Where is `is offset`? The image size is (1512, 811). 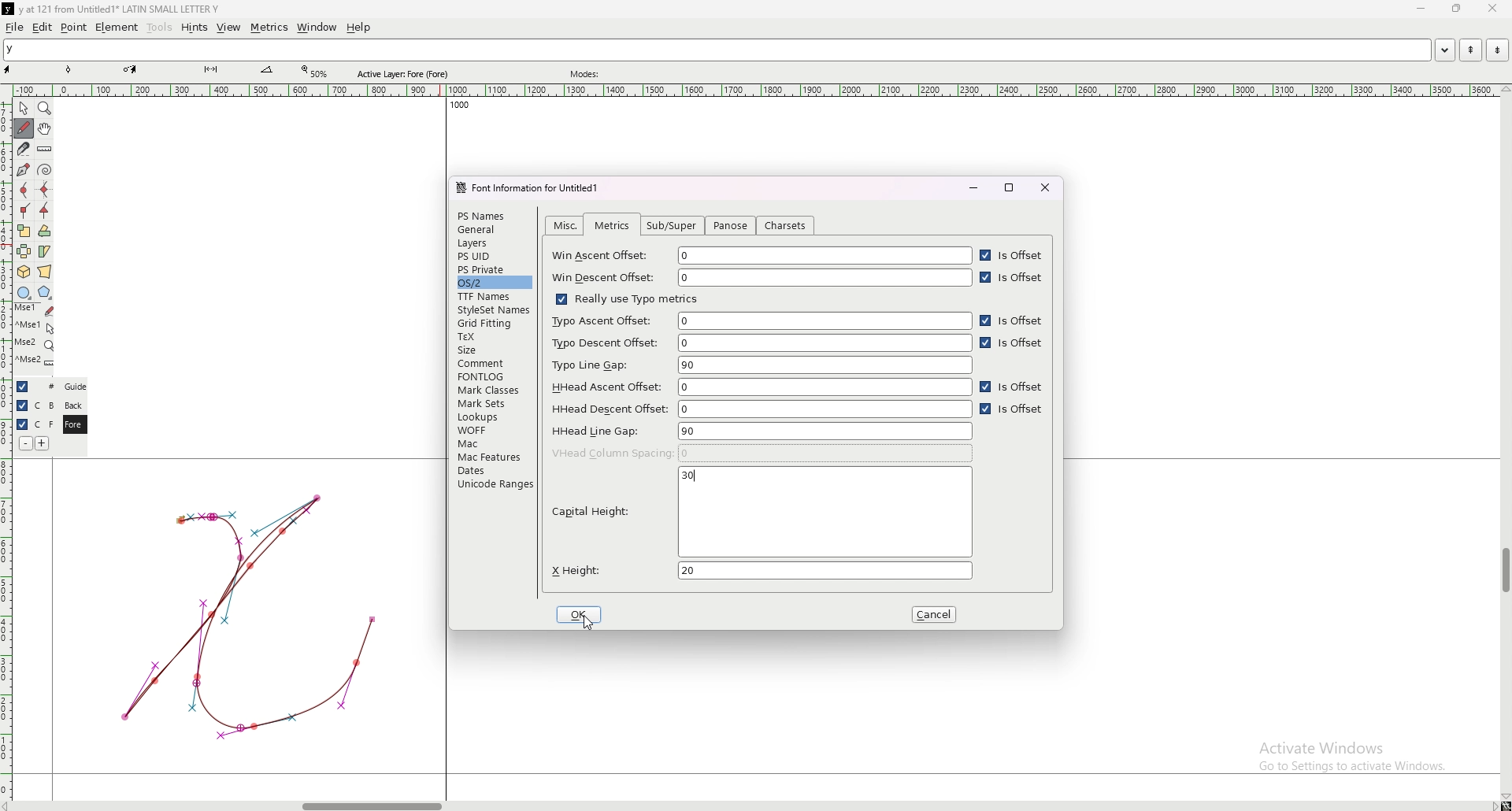
is offset is located at coordinates (1013, 256).